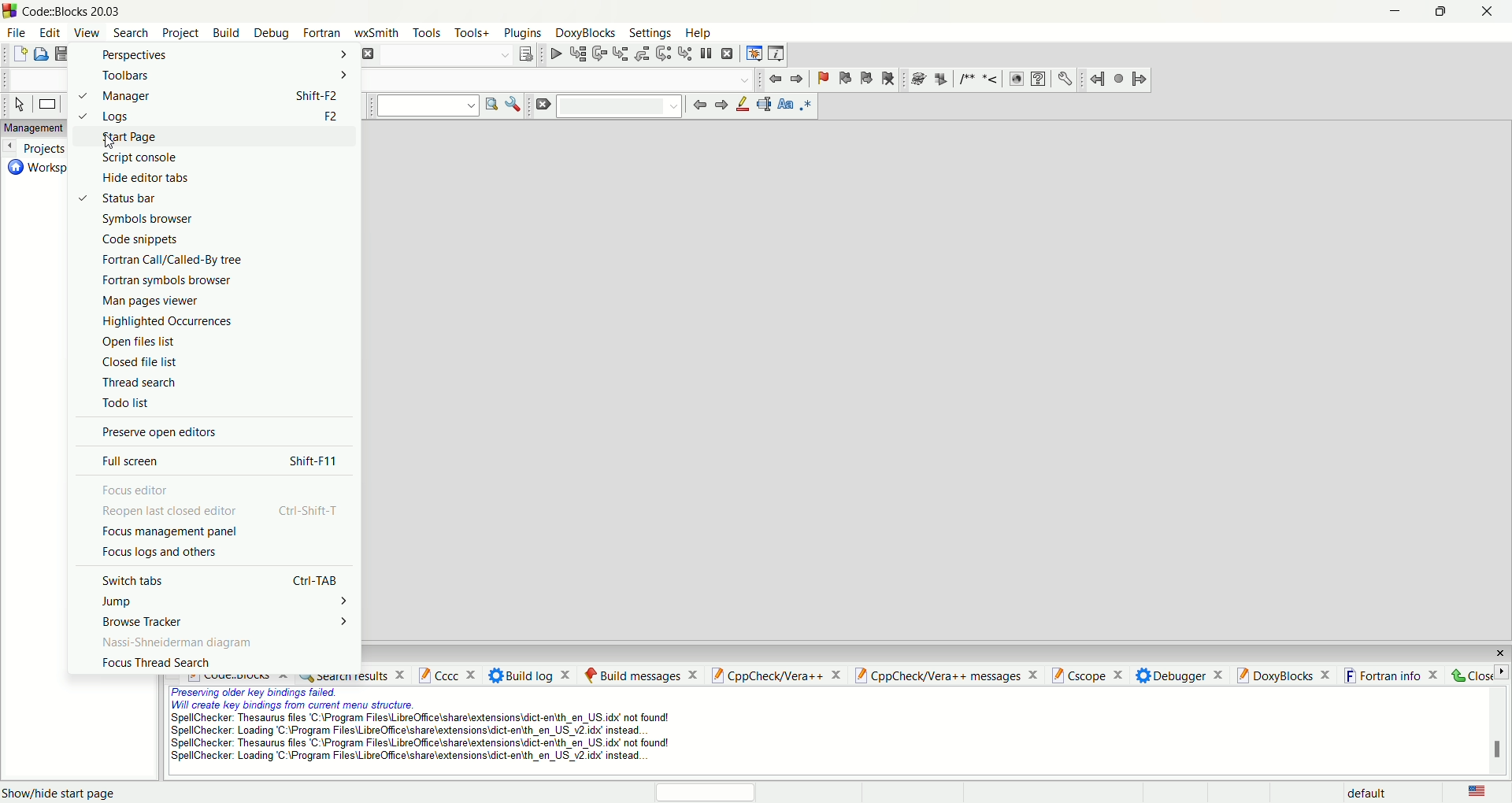 The image size is (1512, 803). What do you see at coordinates (52, 34) in the screenshot?
I see `edit` at bounding box center [52, 34].